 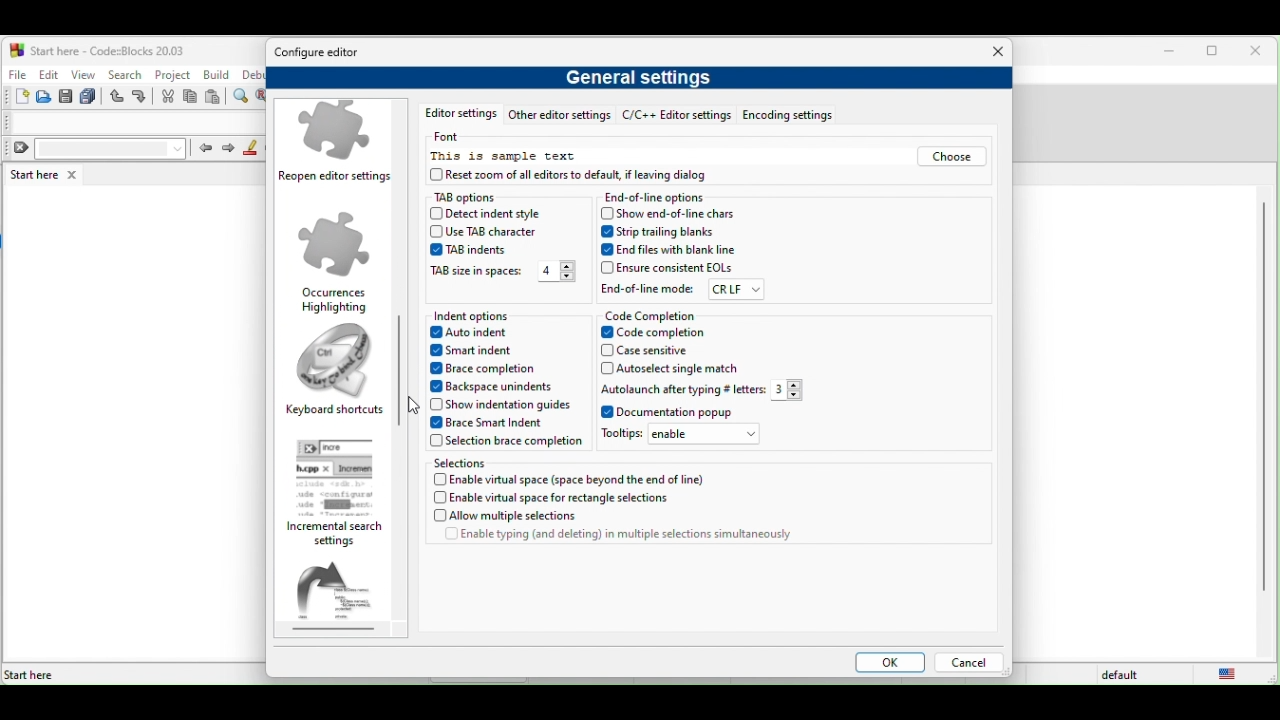 I want to click on open, so click(x=45, y=97).